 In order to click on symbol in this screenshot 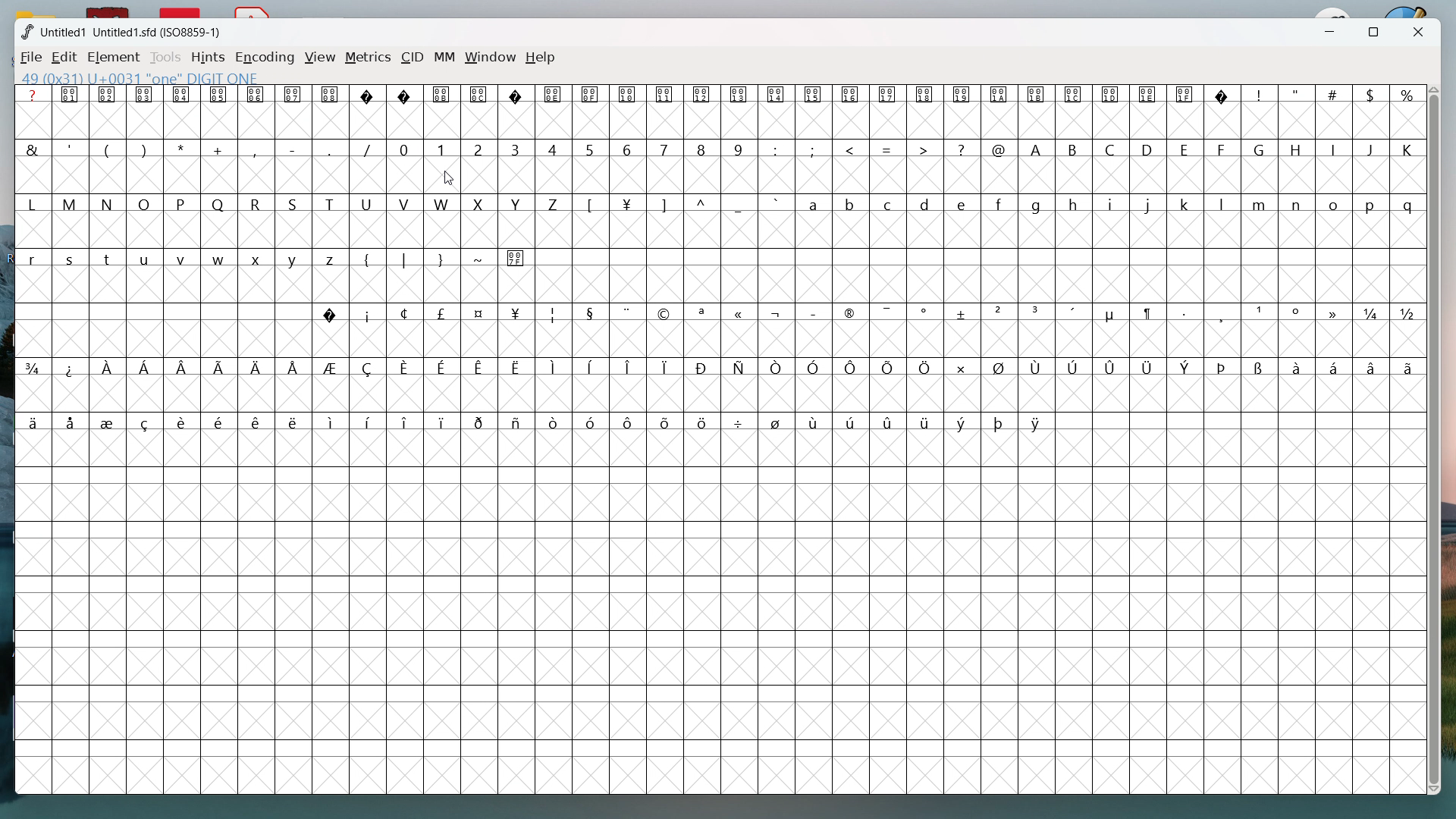, I will do `click(891, 422)`.